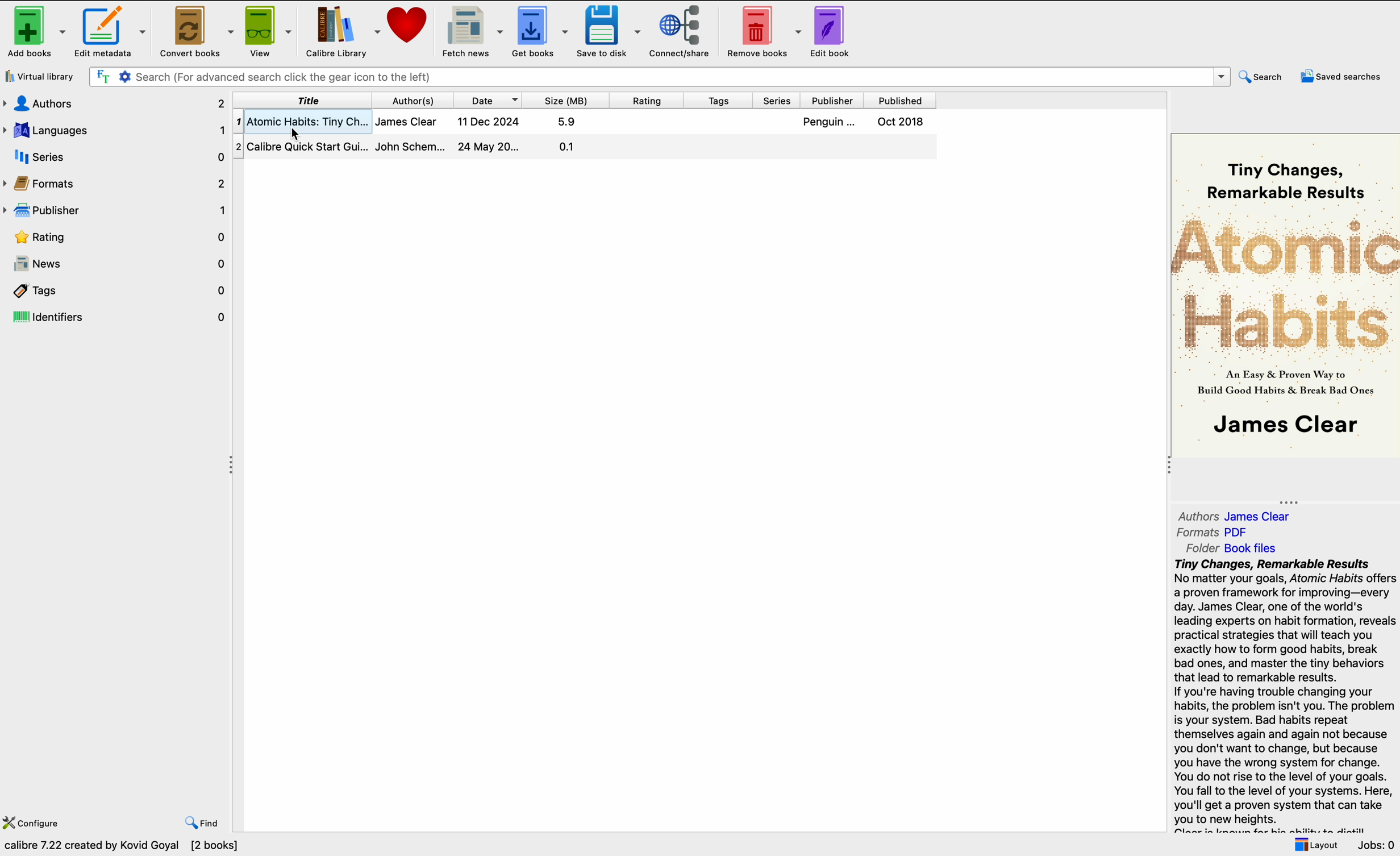 The image size is (1400, 856). I want to click on save to disk, so click(608, 32).